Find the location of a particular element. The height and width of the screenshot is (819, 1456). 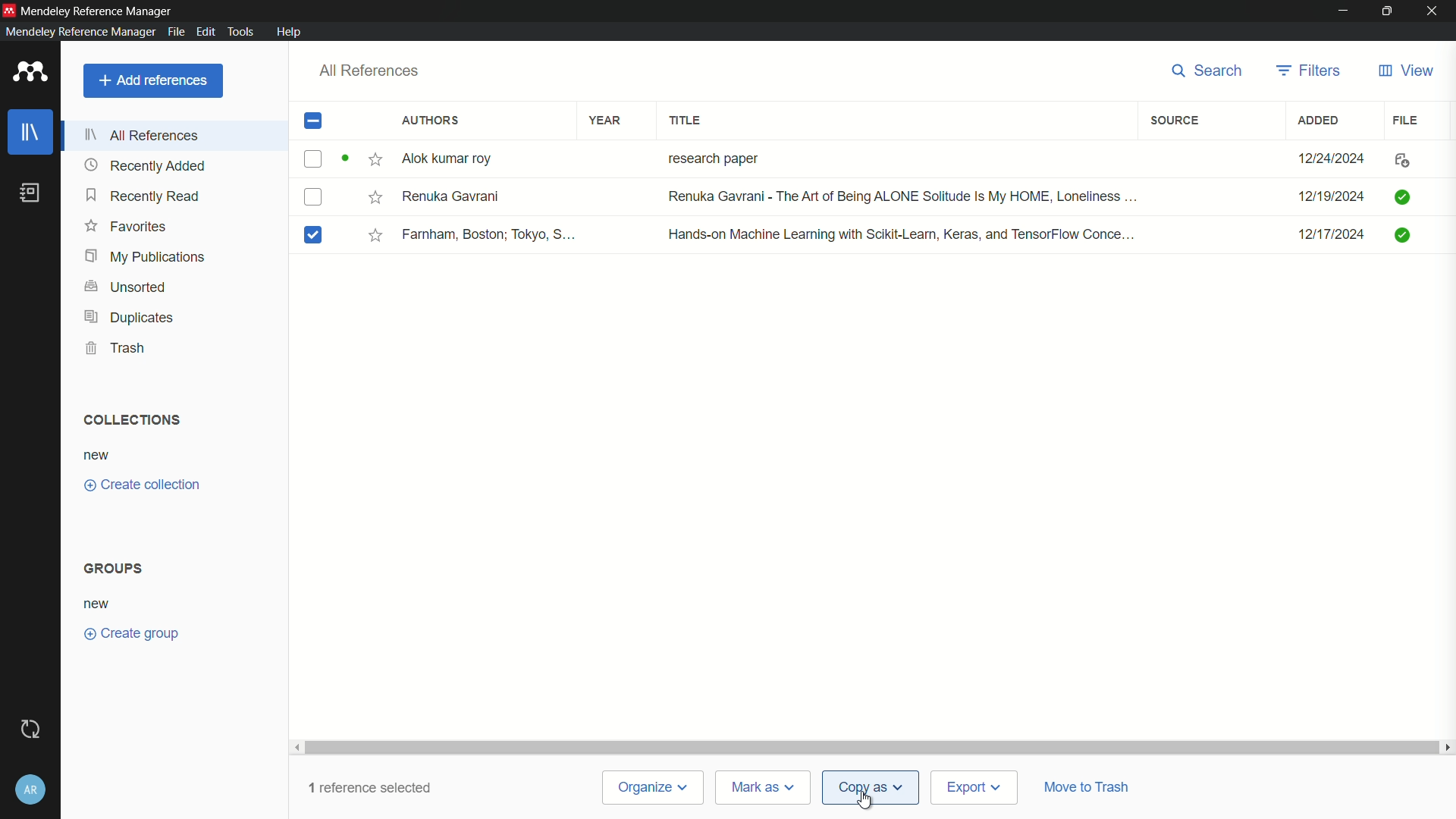

source is located at coordinates (1178, 120).